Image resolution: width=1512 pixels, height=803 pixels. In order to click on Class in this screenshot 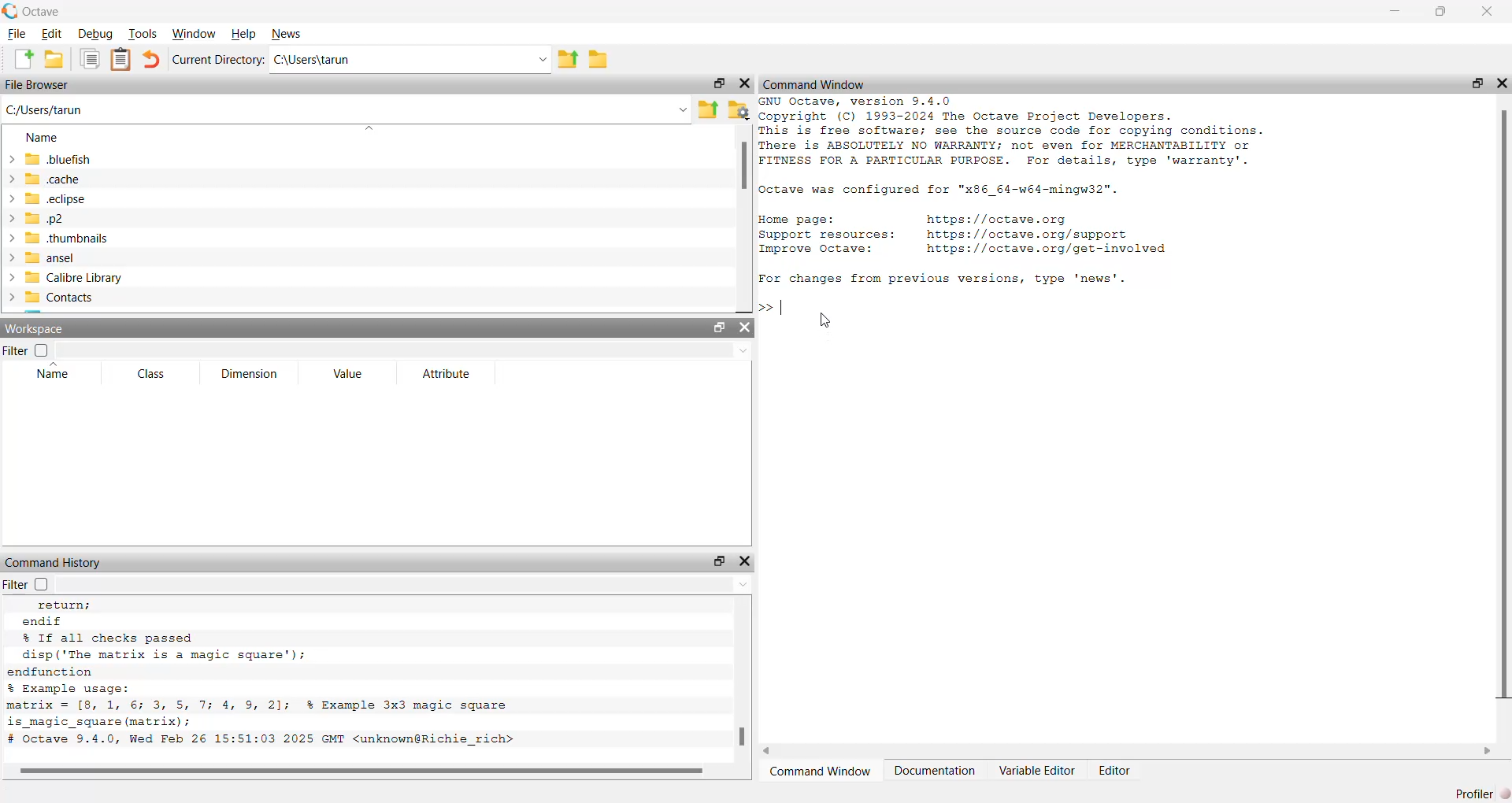, I will do `click(152, 374)`.